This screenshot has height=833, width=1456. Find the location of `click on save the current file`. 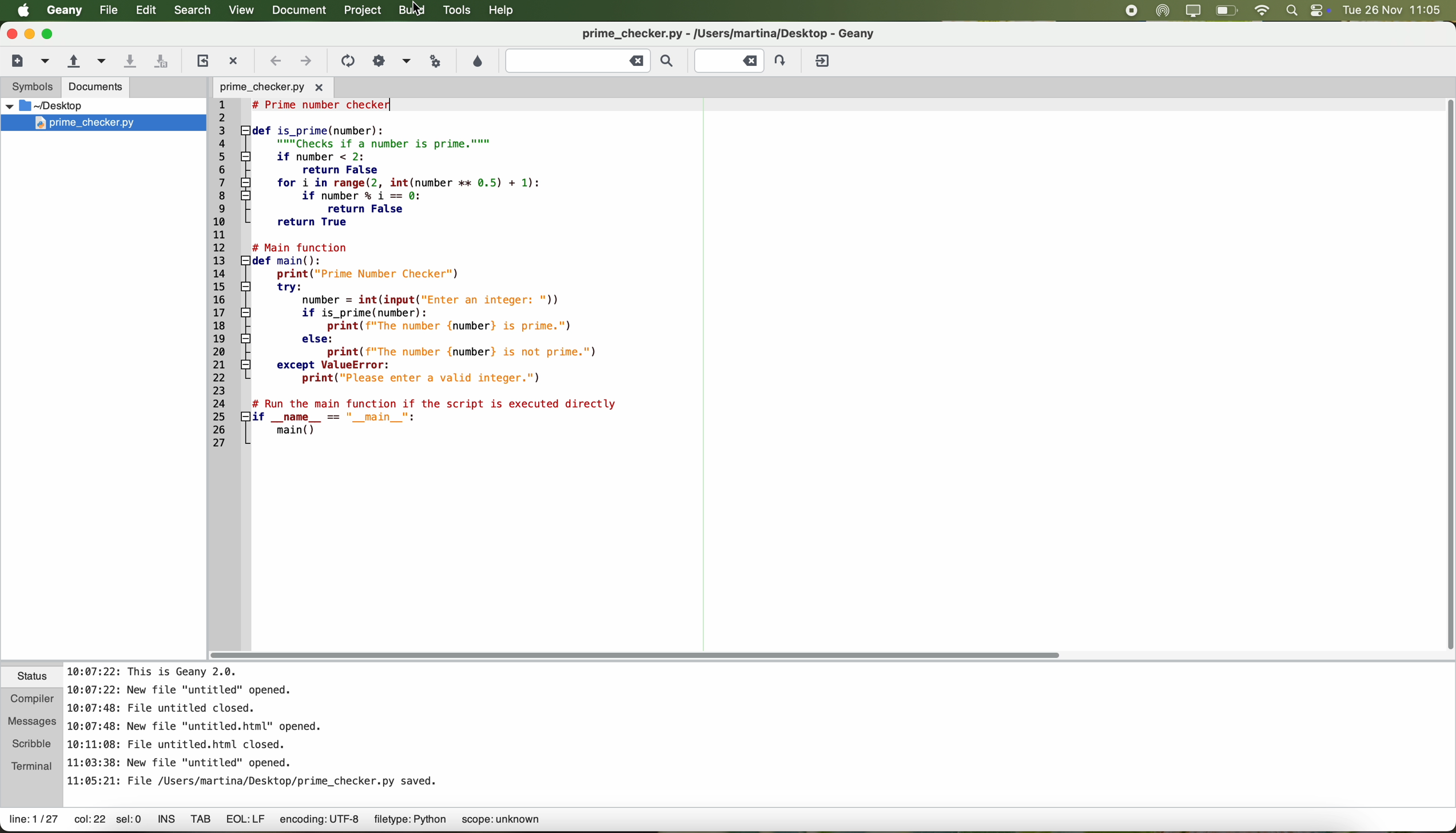

click on save the current file is located at coordinates (130, 61).